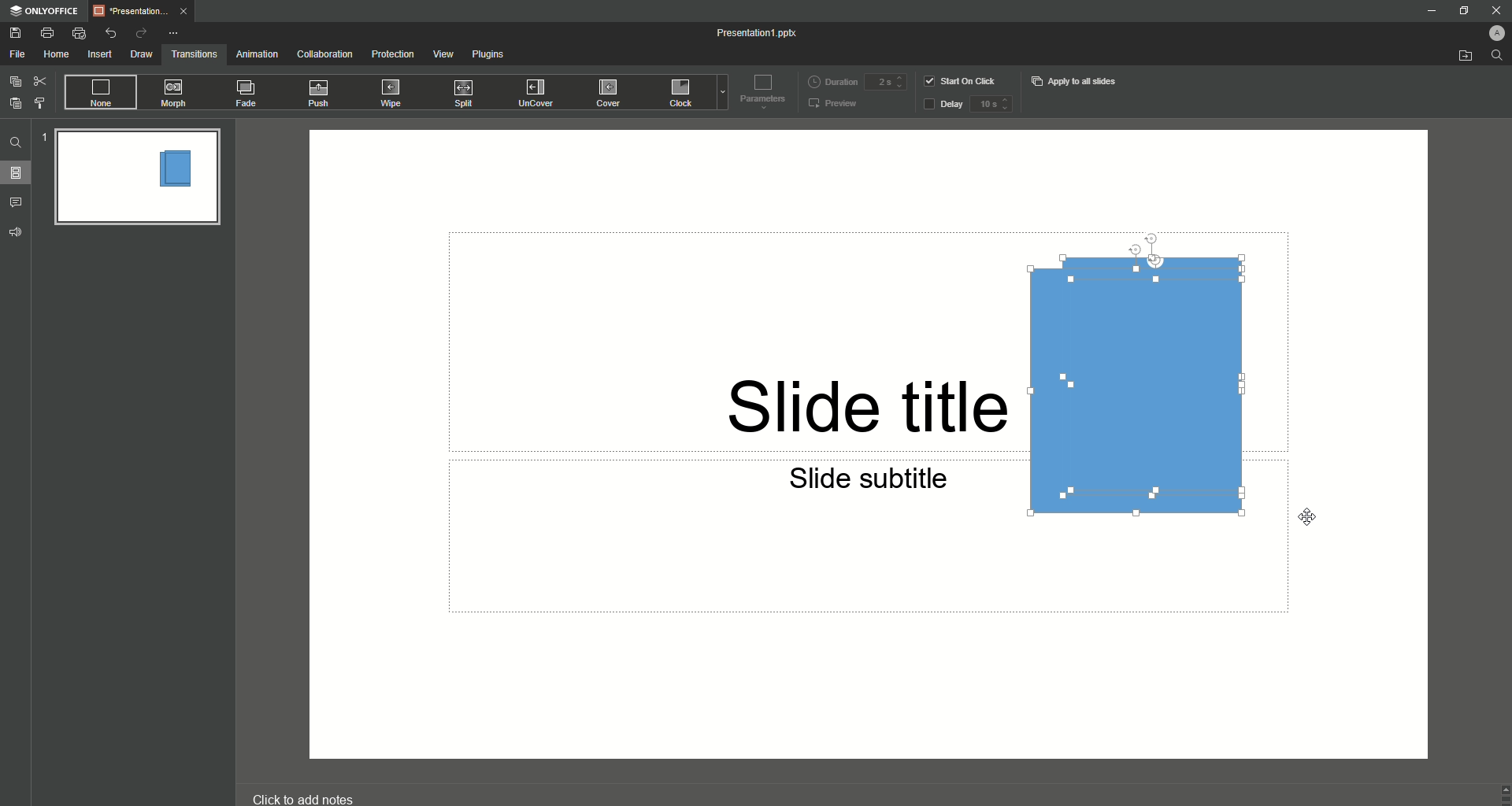  What do you see at coordinates (759, 33) in the screenshot?
I see `Presentation 1` at bounding box center [759, 33].